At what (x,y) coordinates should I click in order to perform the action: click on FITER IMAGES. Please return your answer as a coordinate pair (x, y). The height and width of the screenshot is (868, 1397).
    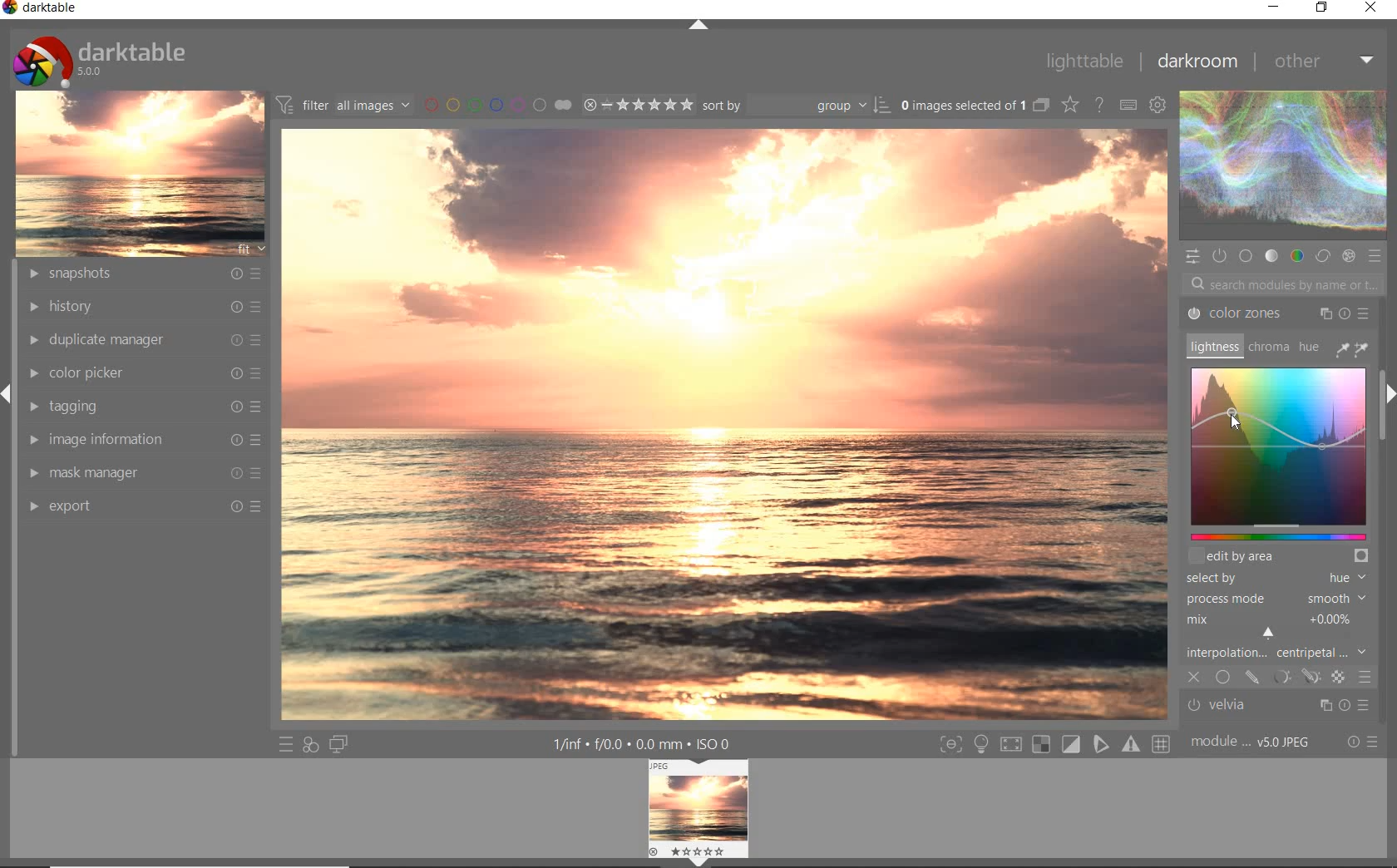
    Looking at the image, I should click on (343, 104).